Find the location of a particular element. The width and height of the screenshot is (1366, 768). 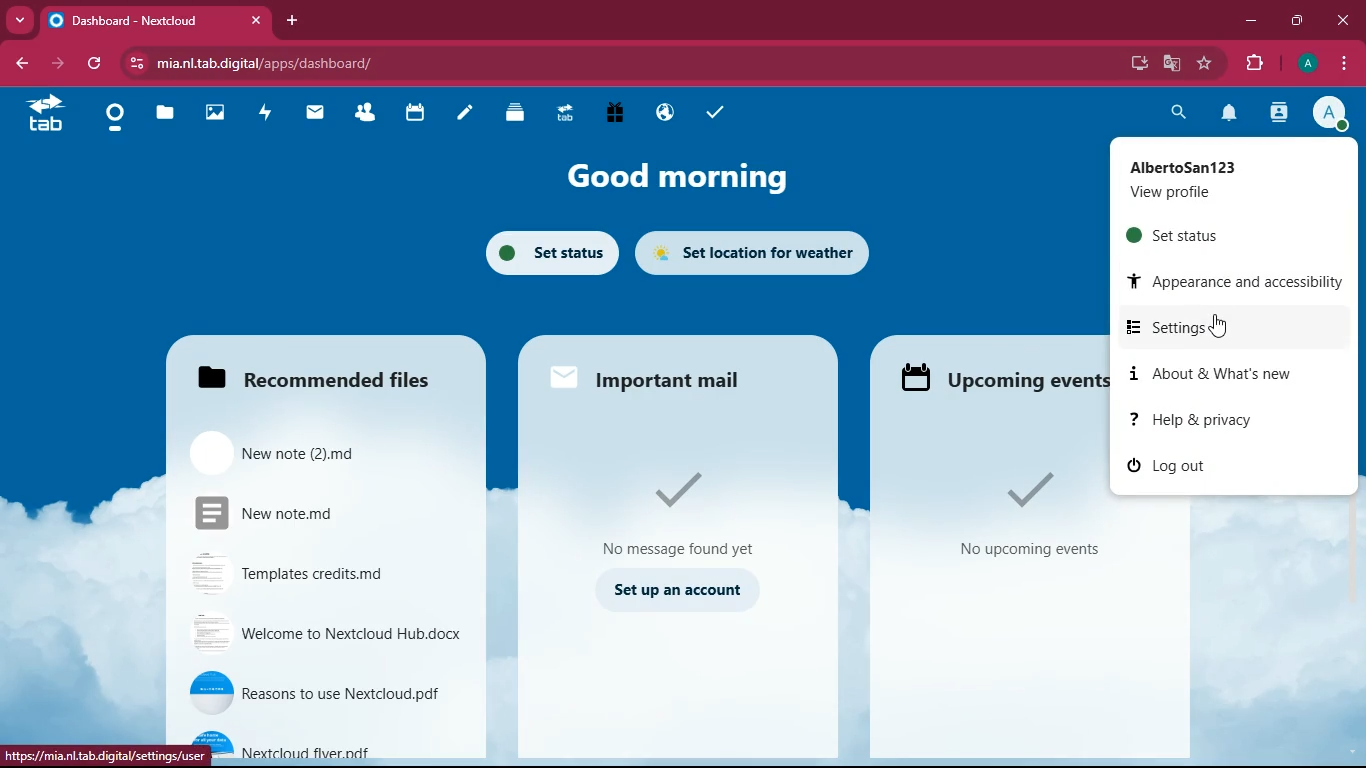

Account is located at coordinates (1330, 112).